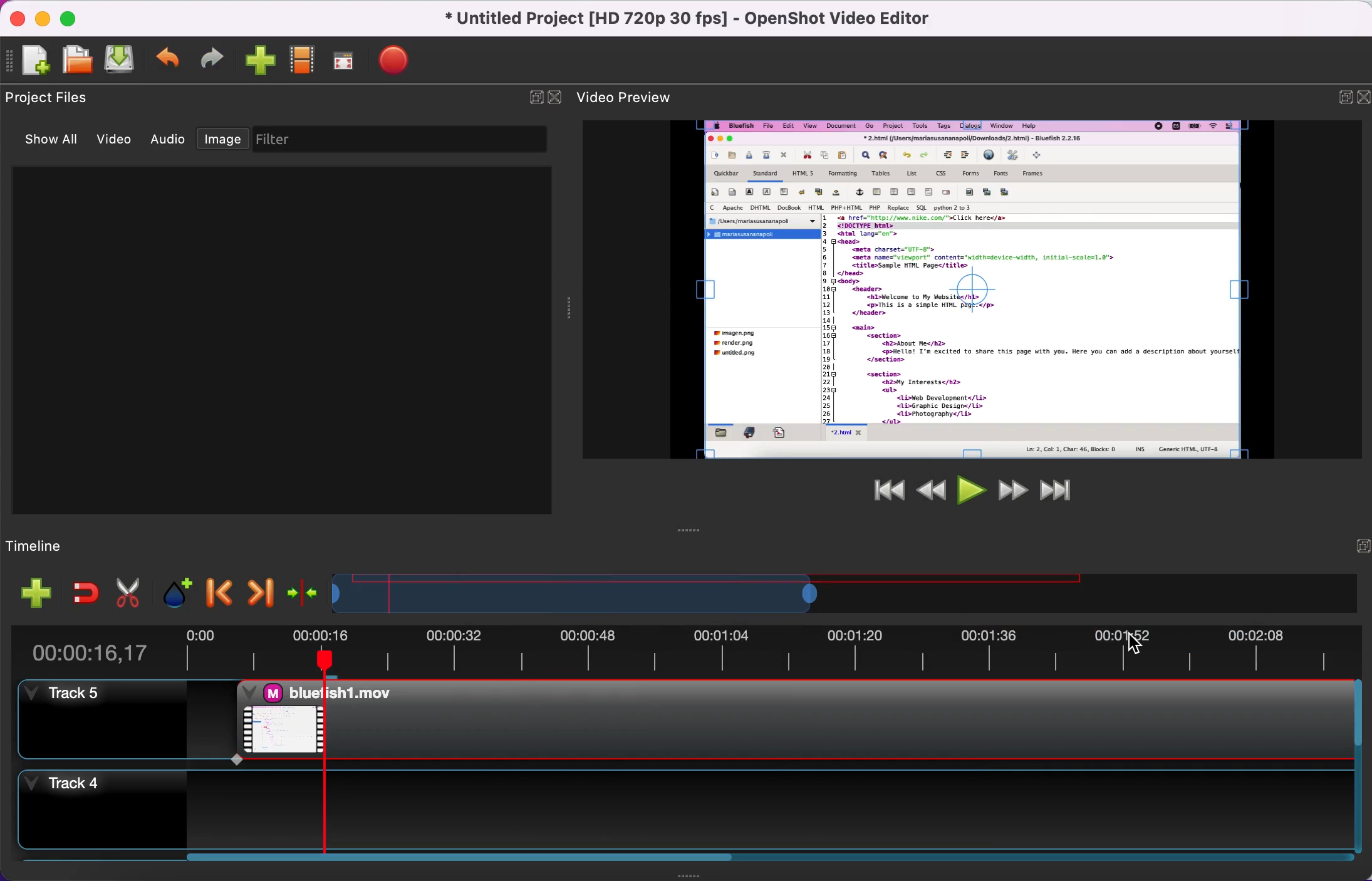  I want to click on next marker, so click(256, 590).